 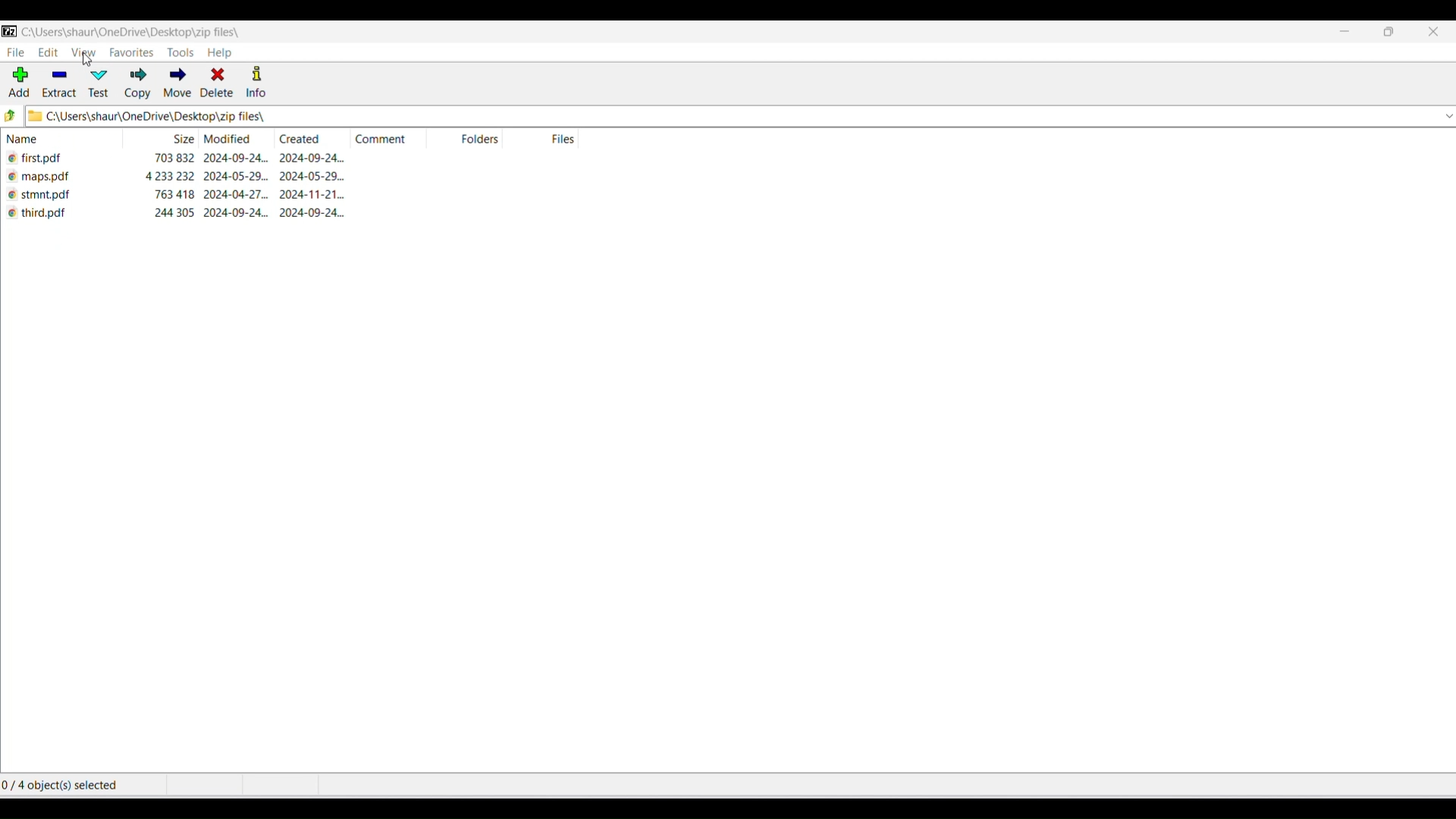 What do you see at coordinates (67, 218) in the screenshot?
I see `file name` at bounding box center [67, 218].